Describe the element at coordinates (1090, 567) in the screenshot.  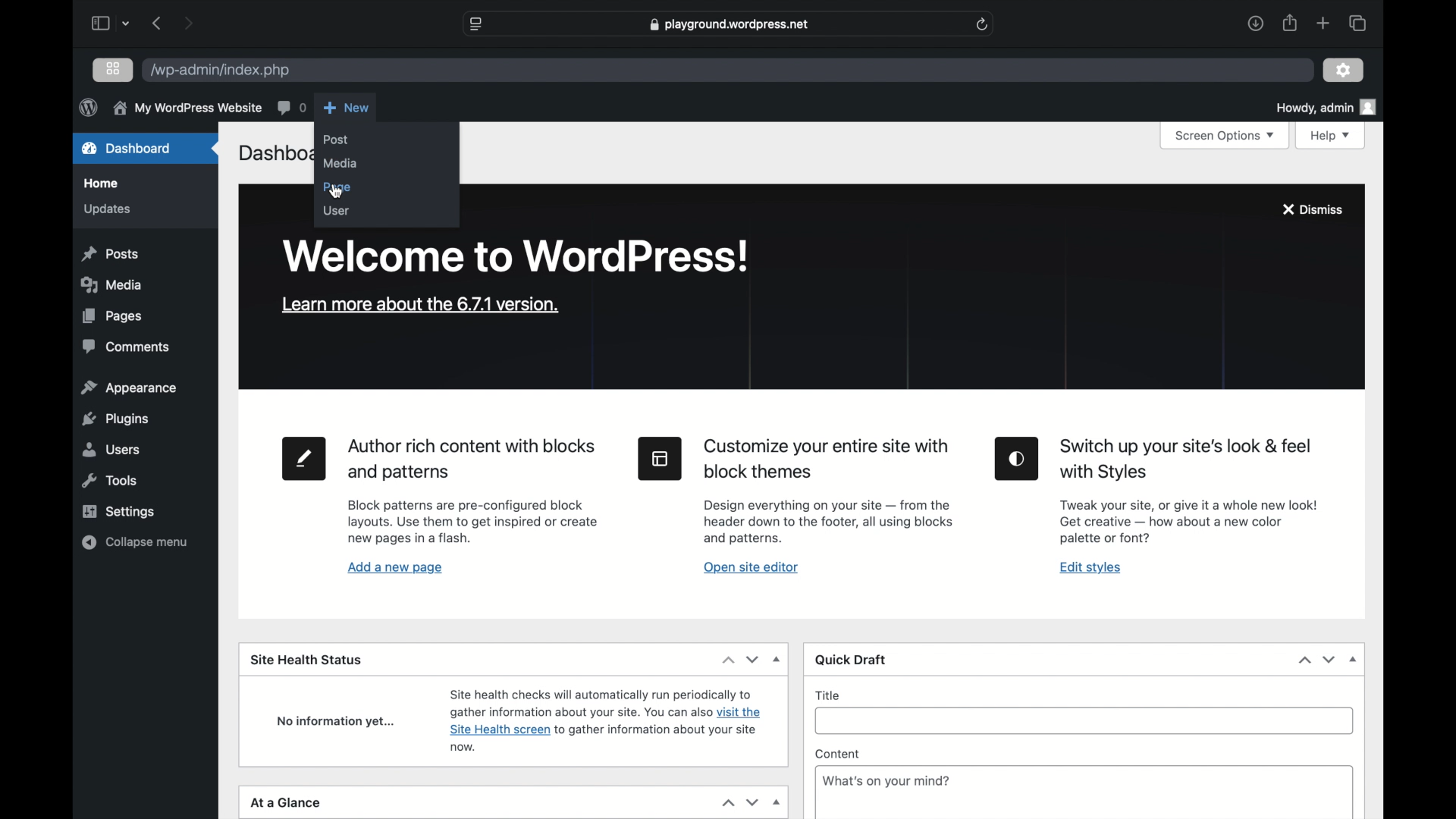
I see `edit styles` at that location.